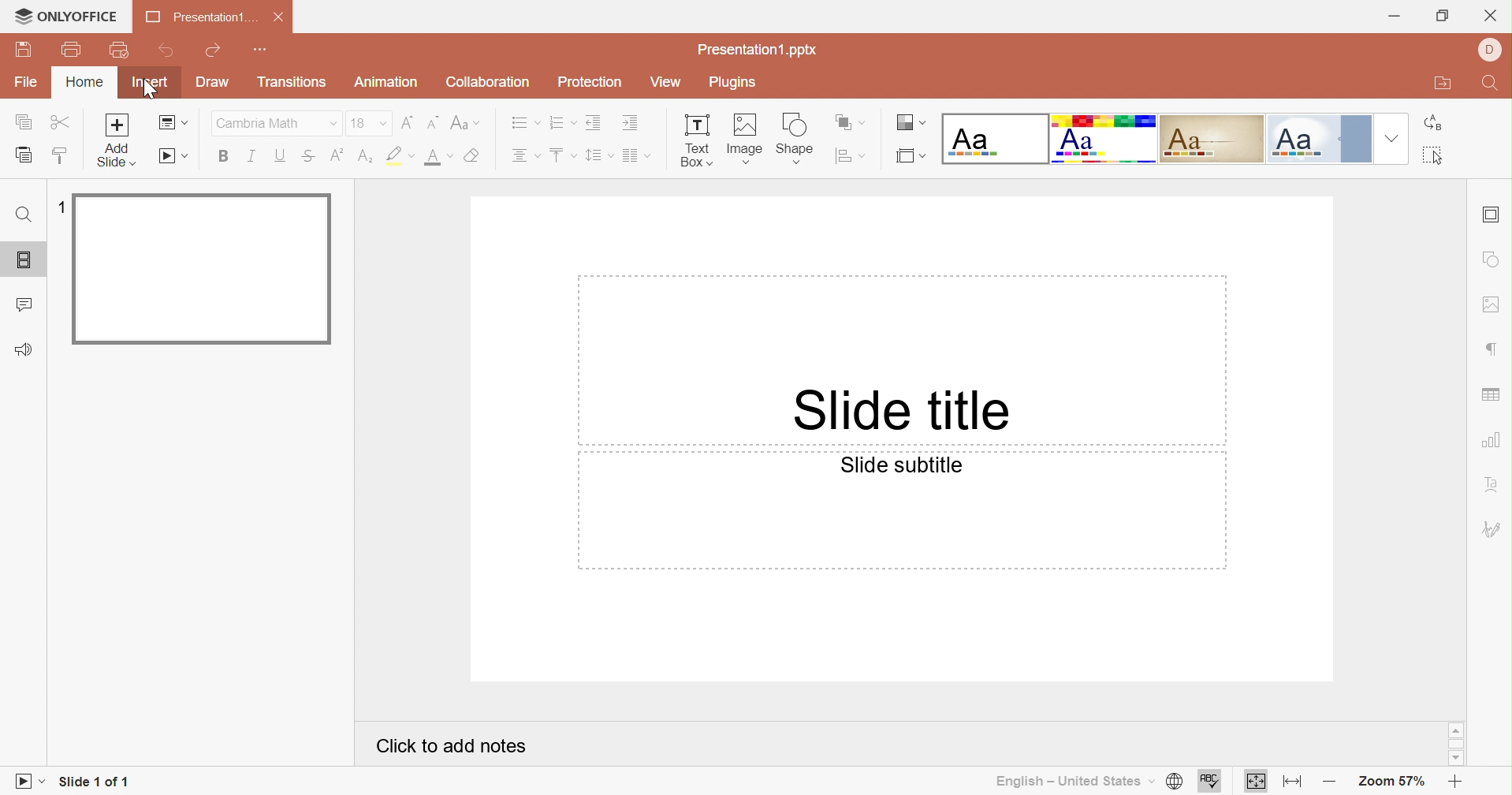  What do you see at coordinates (1490, 348) in the screenshot?
I see `paragraph settings` at bounding box center [1490, 348].